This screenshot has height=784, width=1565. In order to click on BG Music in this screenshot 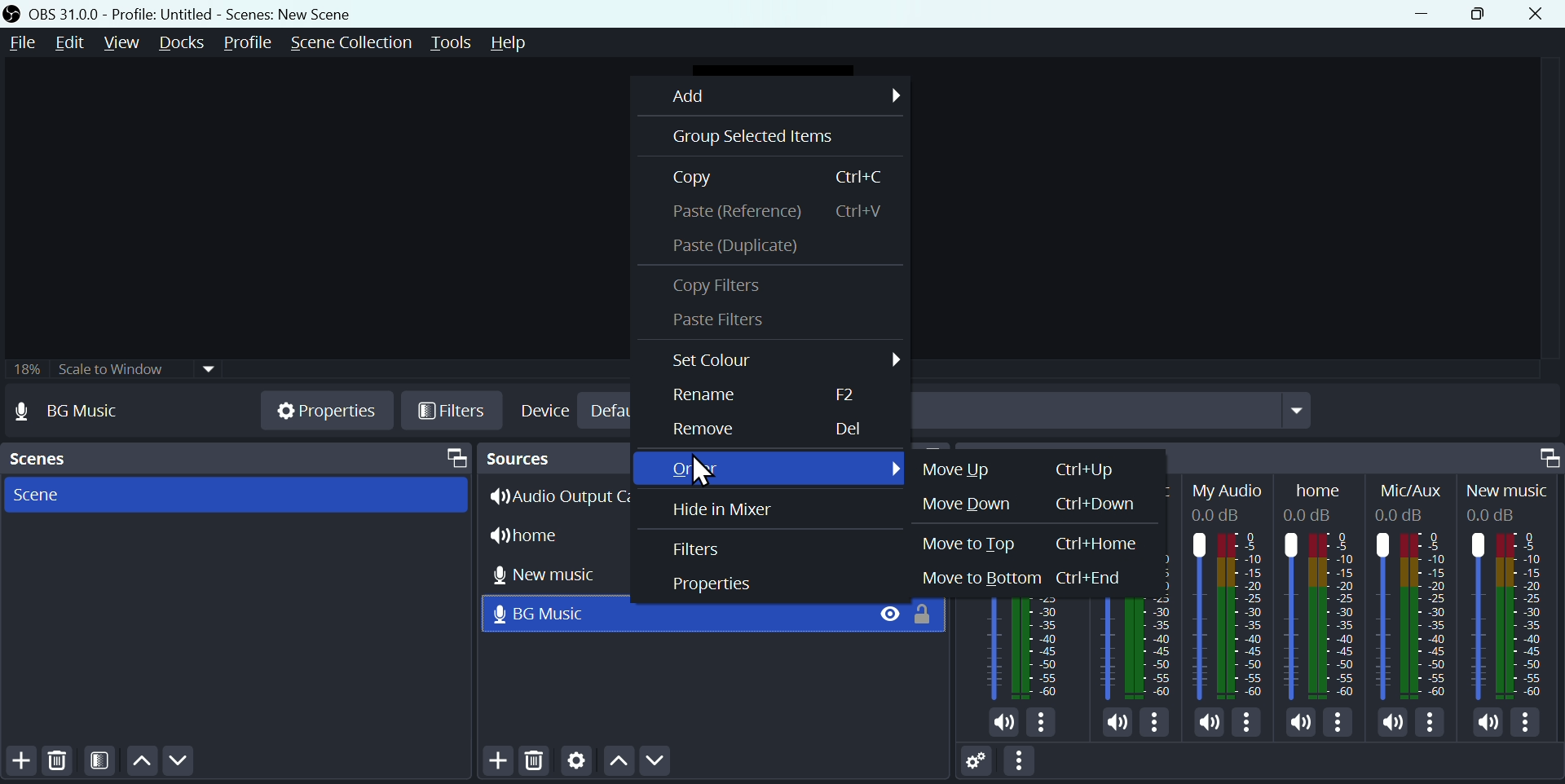, I will do `click(85, 412)`.